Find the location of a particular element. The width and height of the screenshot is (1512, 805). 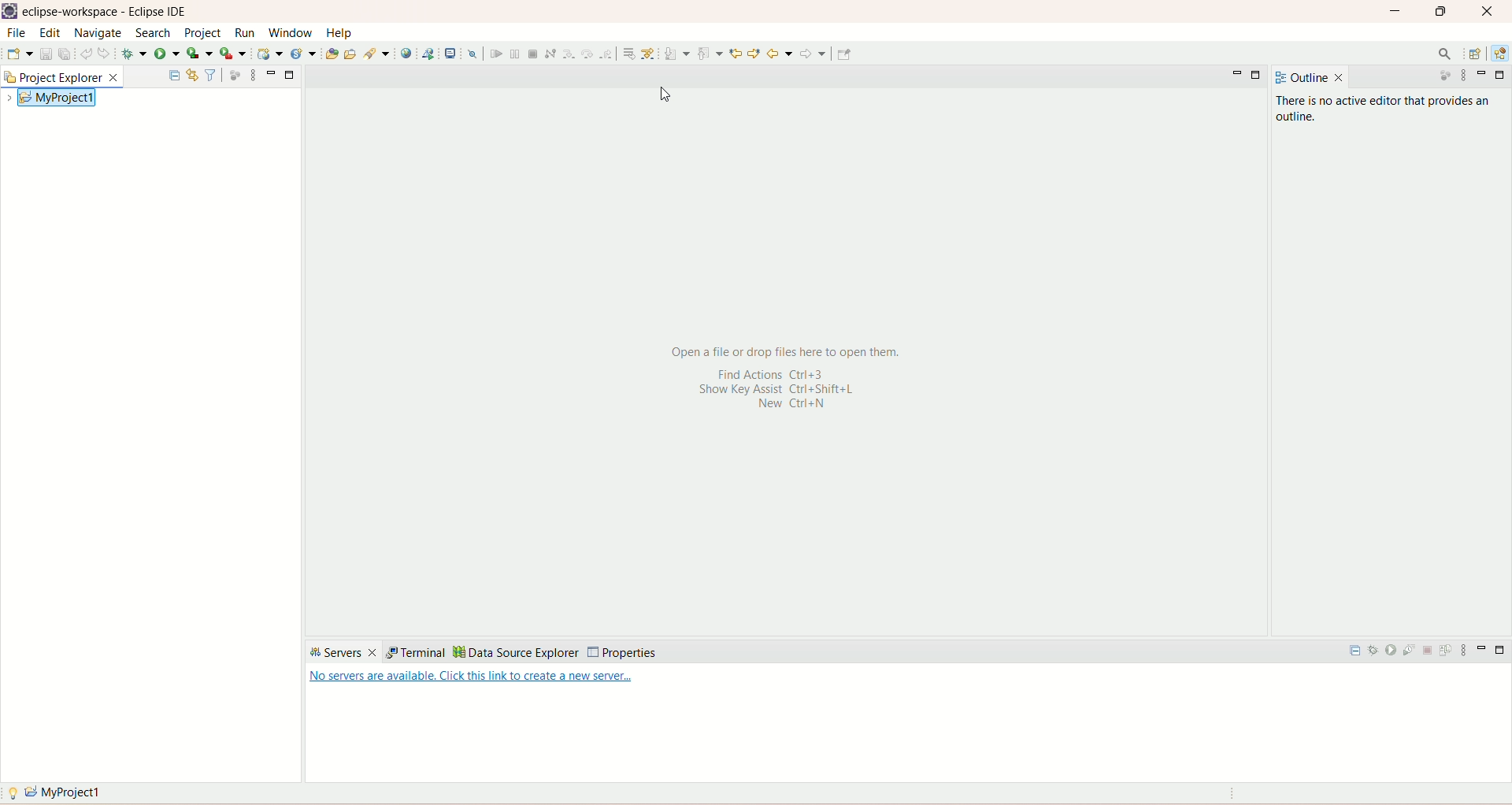

open task is located at coordinates (351, 54).